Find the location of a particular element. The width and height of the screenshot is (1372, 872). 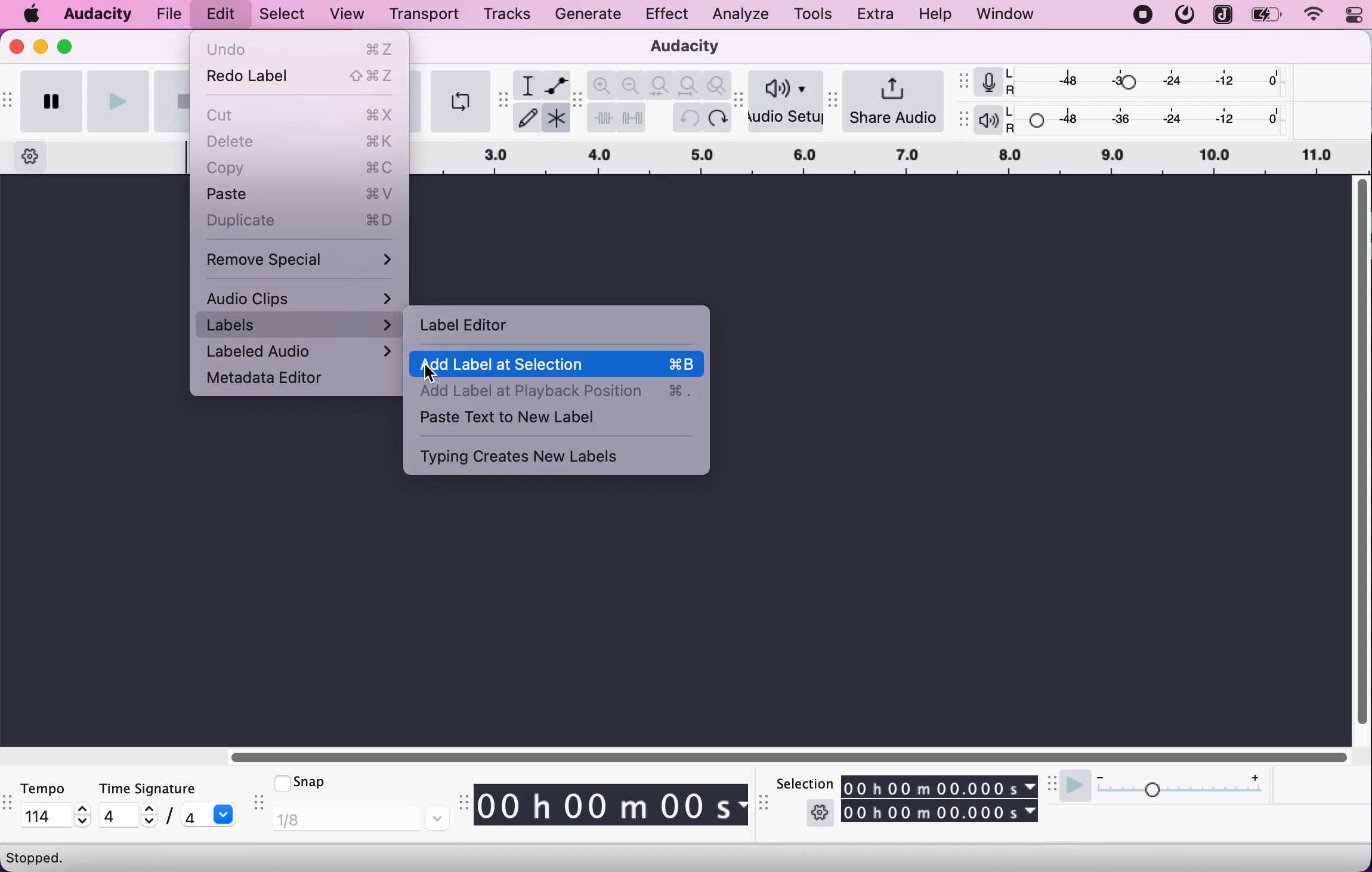

audacity play at speed toolbar is located at coordinates (1053, 784).